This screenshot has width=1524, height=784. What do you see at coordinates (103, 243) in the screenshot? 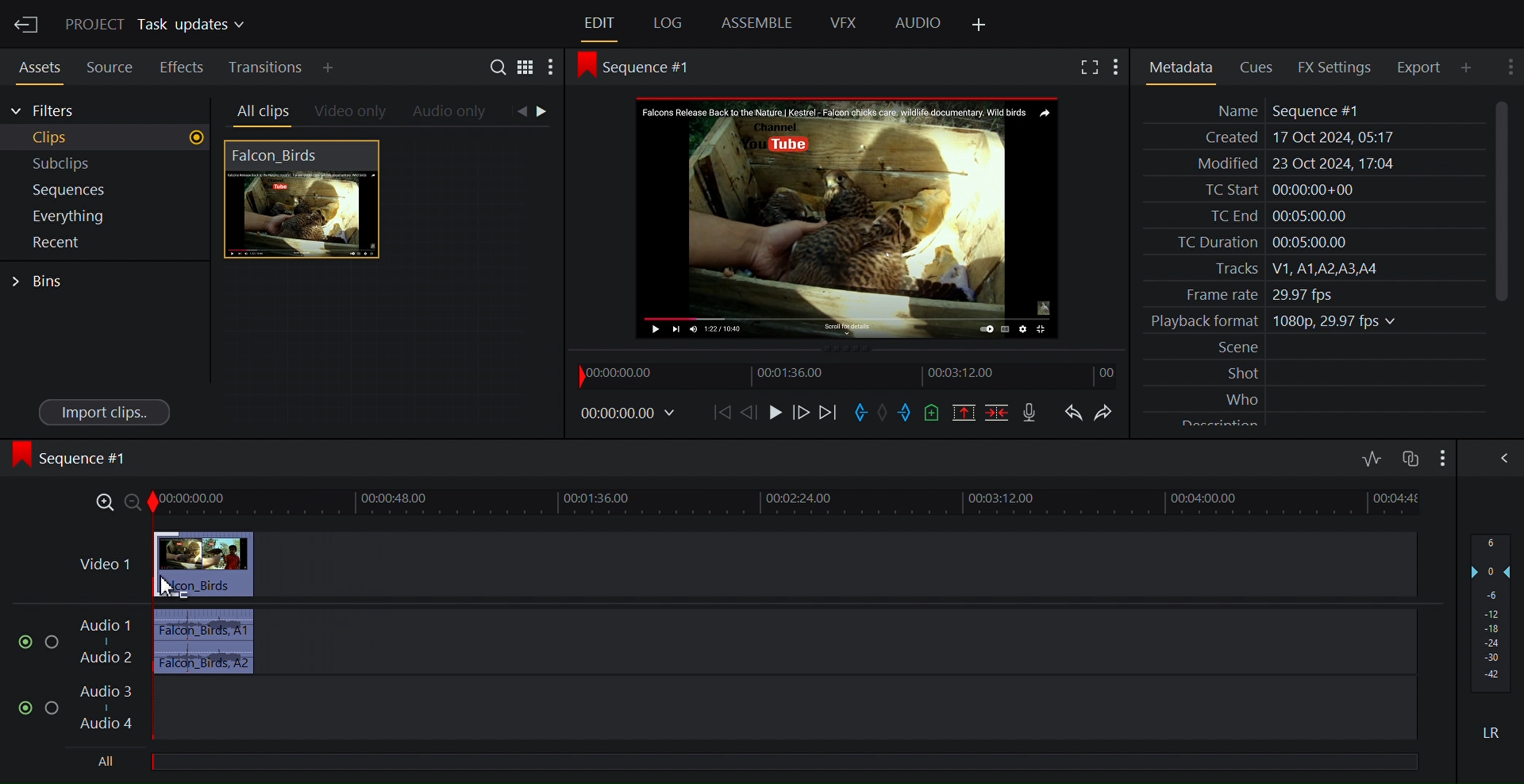
I see `Show recent in the current project` at bounding box center [103, 243].